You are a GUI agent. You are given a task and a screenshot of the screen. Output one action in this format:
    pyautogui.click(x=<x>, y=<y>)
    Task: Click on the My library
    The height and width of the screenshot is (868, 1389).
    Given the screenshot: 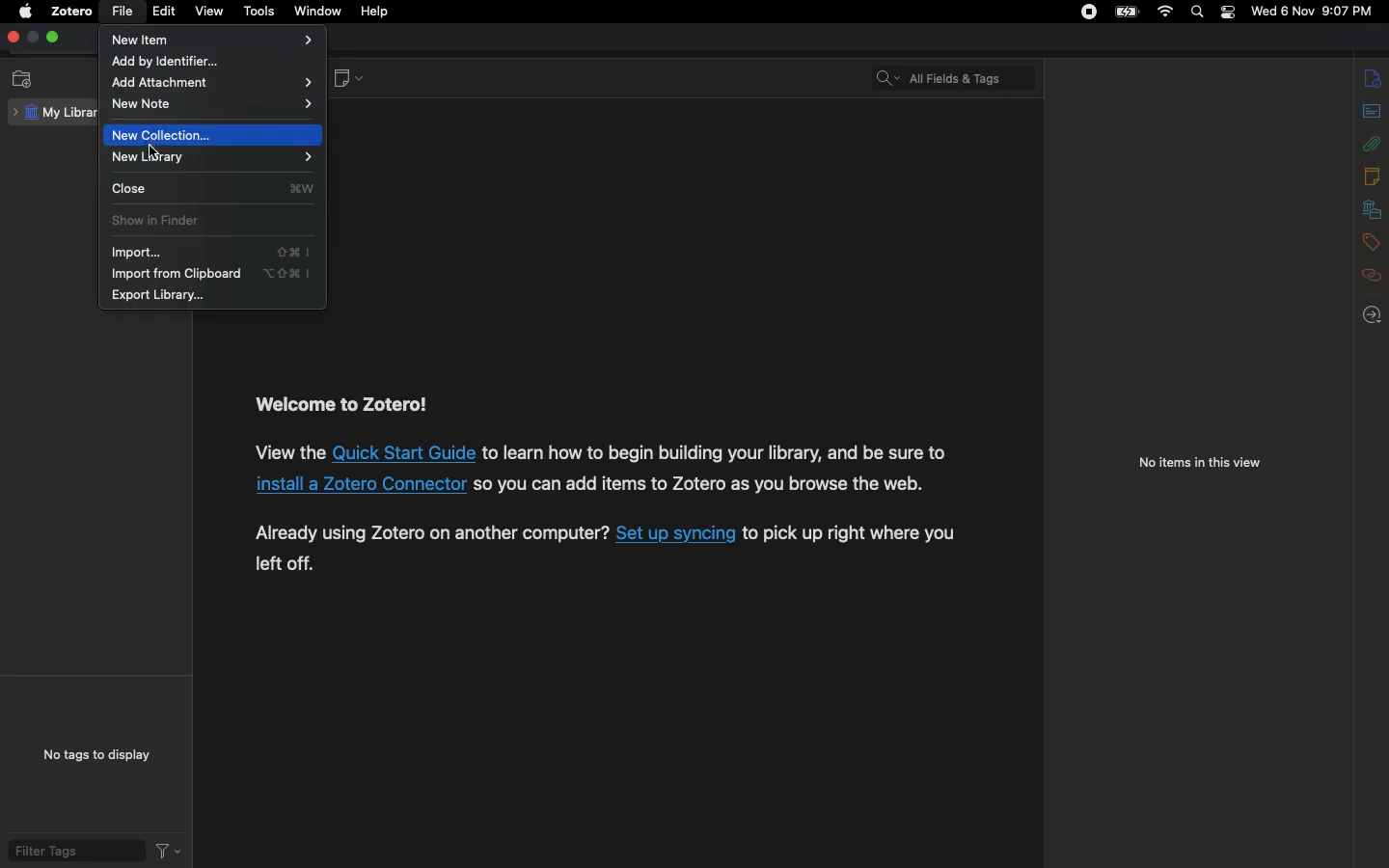 What is the action you would take?
    pyautogui.click(x=55, y=112)
    